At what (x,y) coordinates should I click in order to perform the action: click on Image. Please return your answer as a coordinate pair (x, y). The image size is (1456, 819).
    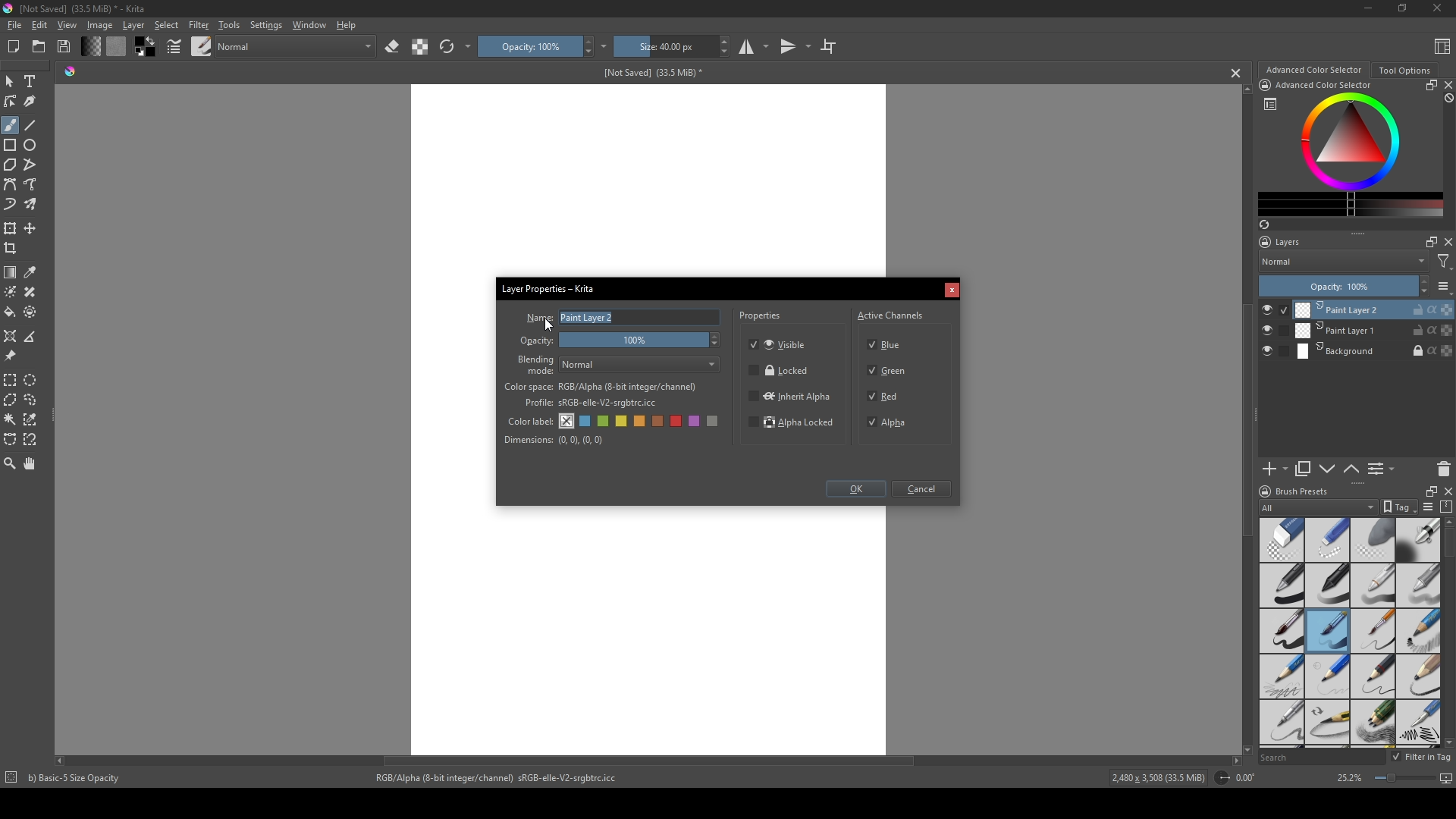
    Looking at the image, I should click on (99, 25).